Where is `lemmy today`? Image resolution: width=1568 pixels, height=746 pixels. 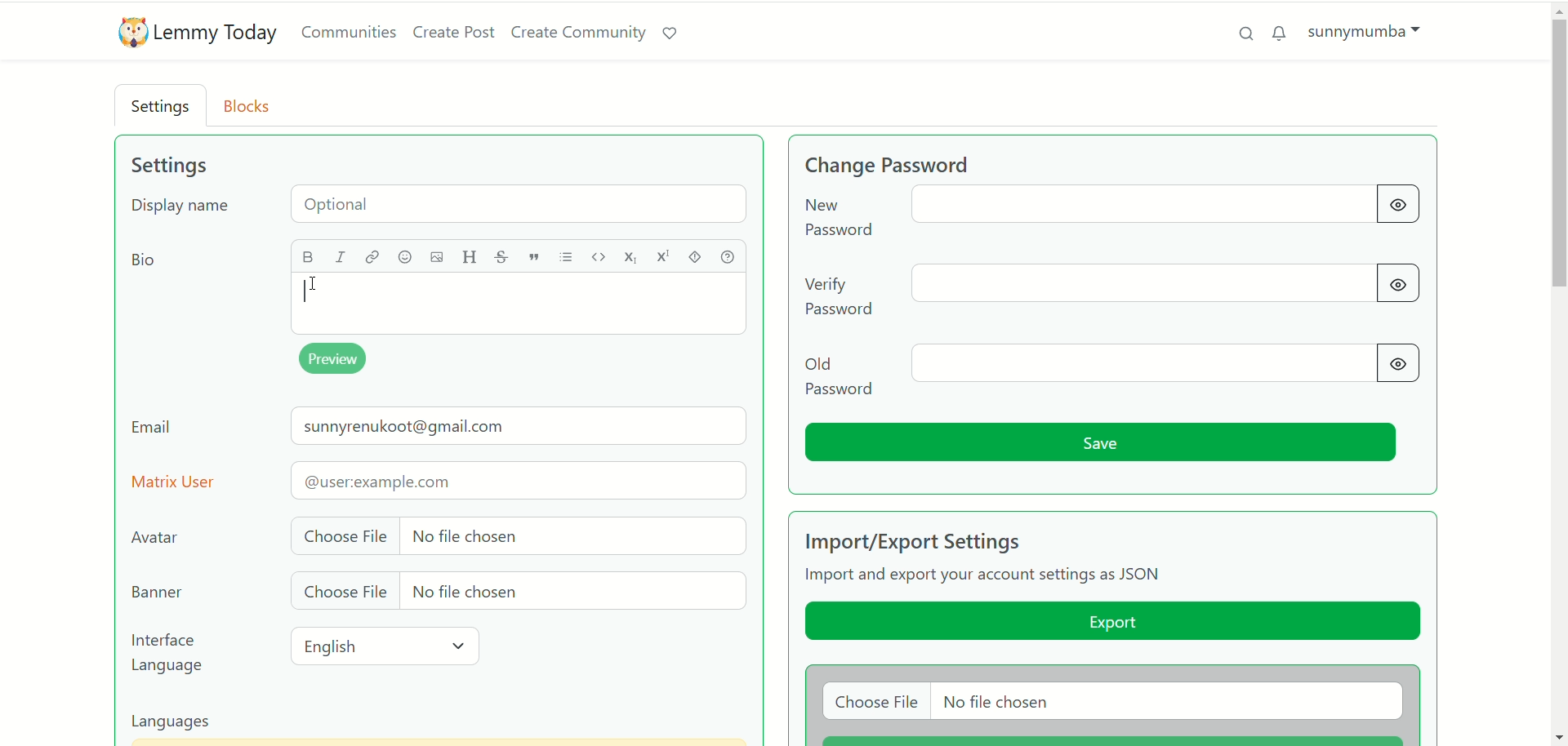
lemmy today is located at coordinates (218, 34).